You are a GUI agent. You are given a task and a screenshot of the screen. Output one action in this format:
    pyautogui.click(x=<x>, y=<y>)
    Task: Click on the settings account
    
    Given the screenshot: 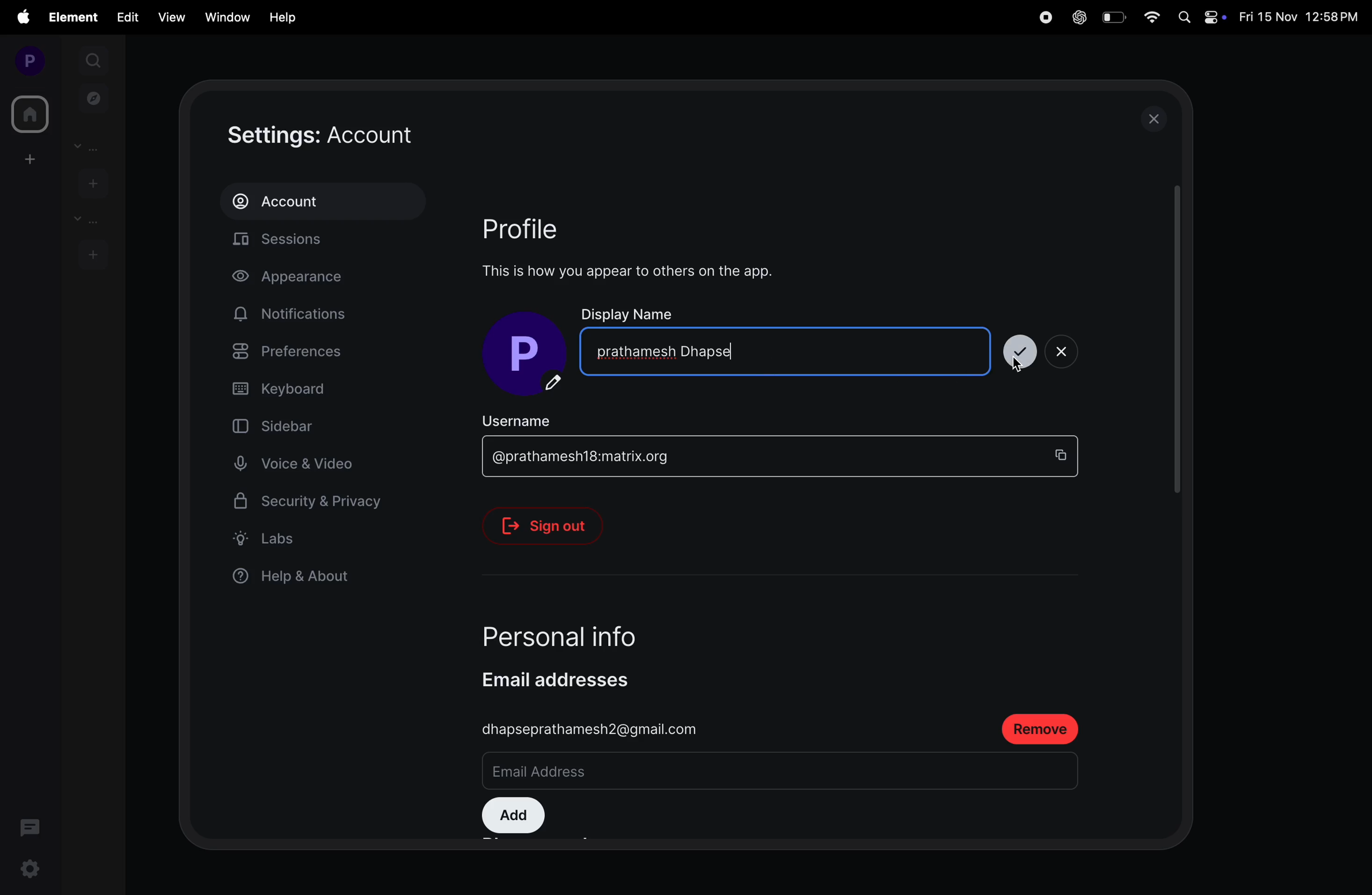 What is the action you would take?
    pyautogui.click(x=360, y=136)
    